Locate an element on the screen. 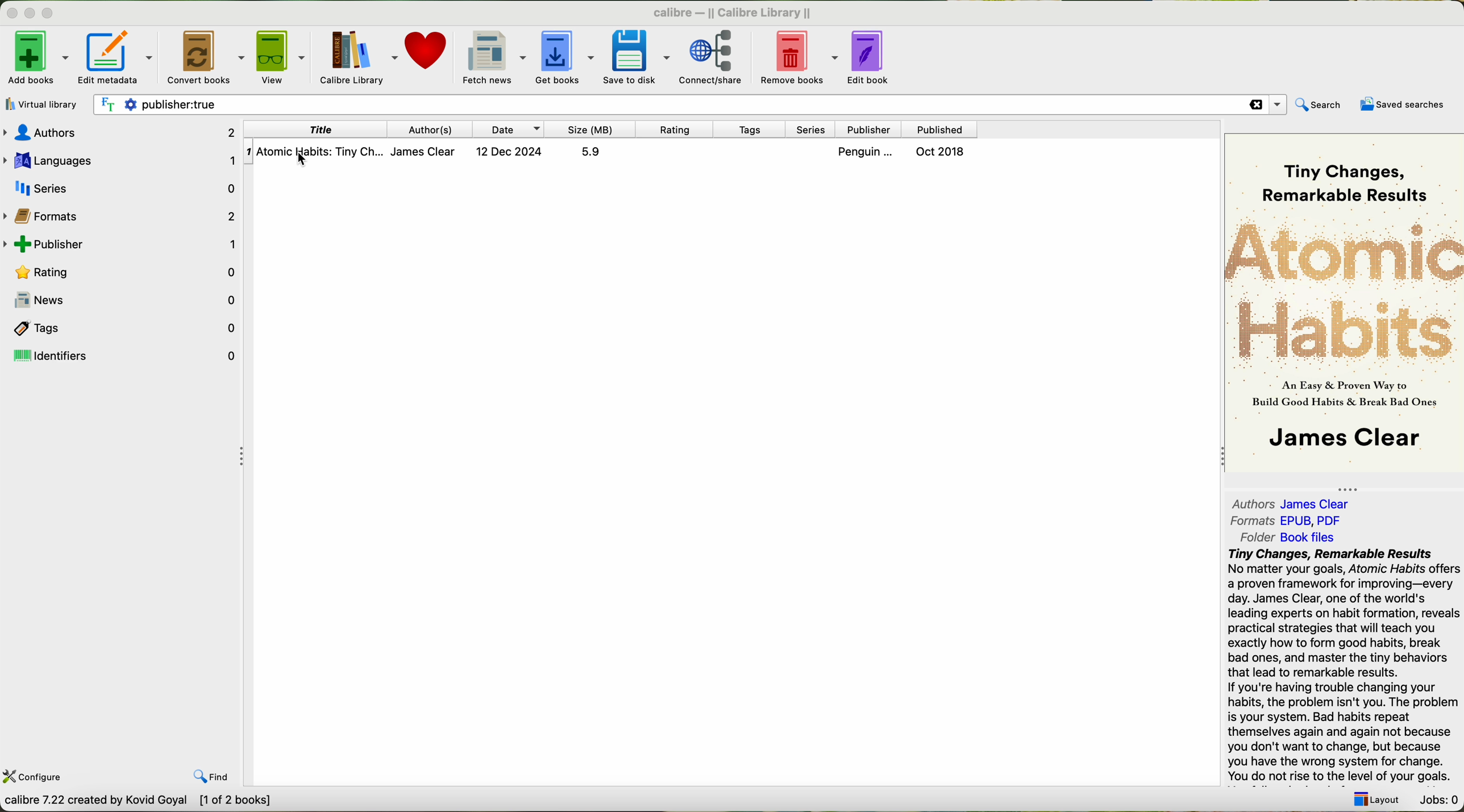  edit book is located at coordinates (868, 57).